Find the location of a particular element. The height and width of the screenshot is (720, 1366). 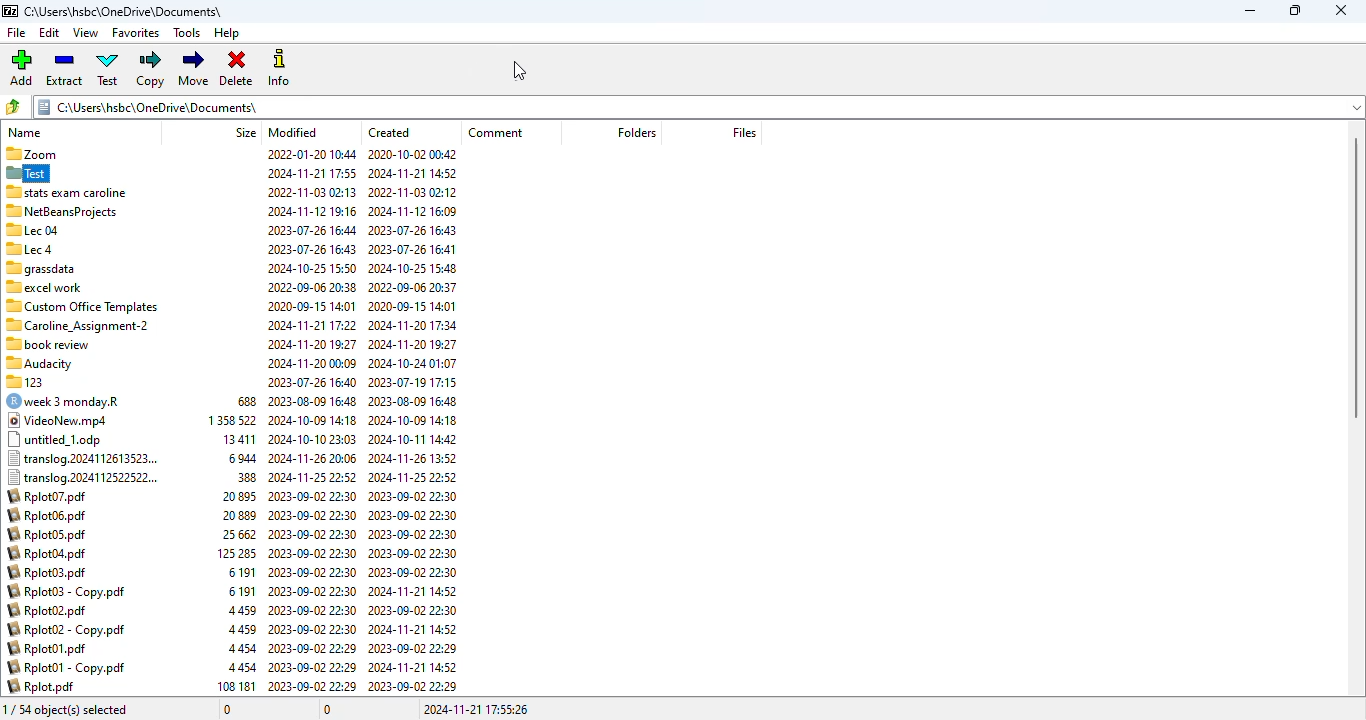

close is located at coordinates (1340, 10).